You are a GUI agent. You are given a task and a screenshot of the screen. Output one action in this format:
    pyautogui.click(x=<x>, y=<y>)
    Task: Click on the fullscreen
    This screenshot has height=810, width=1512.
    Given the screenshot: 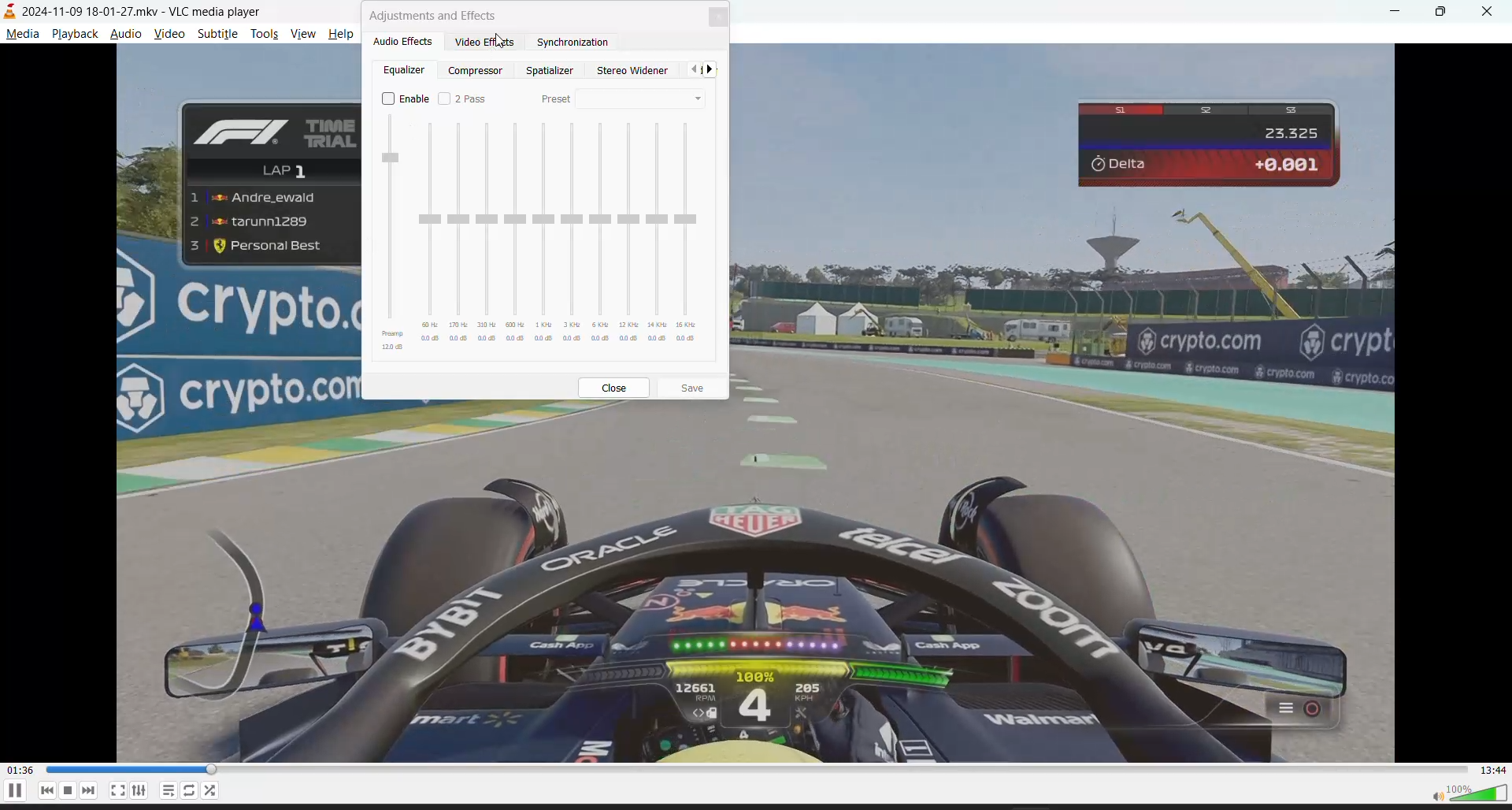 What is the action you would take?
    pyautogui.click(x=117, y=790)
    